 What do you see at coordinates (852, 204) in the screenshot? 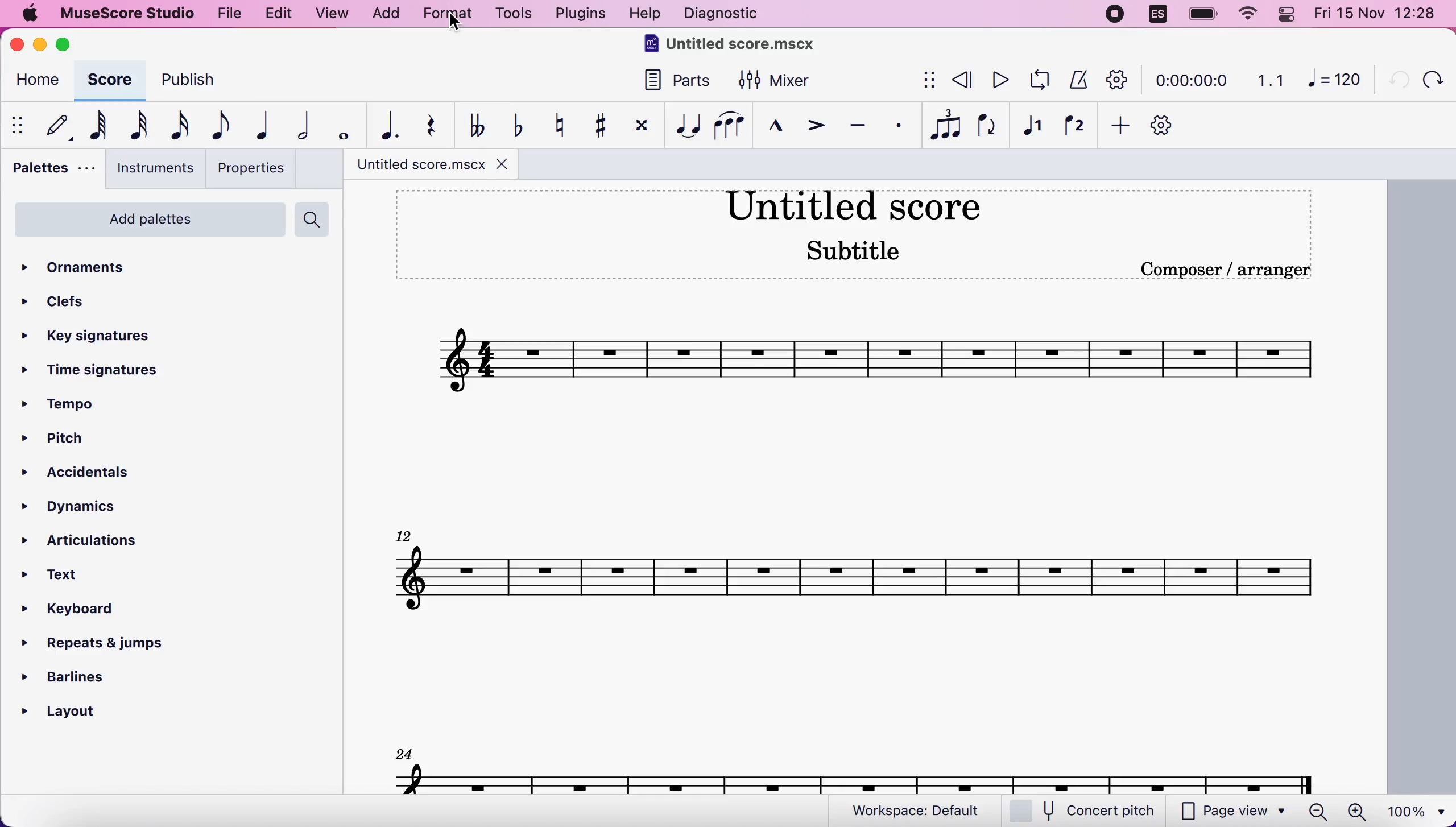
I see `title` at bounding box center [852, 204].